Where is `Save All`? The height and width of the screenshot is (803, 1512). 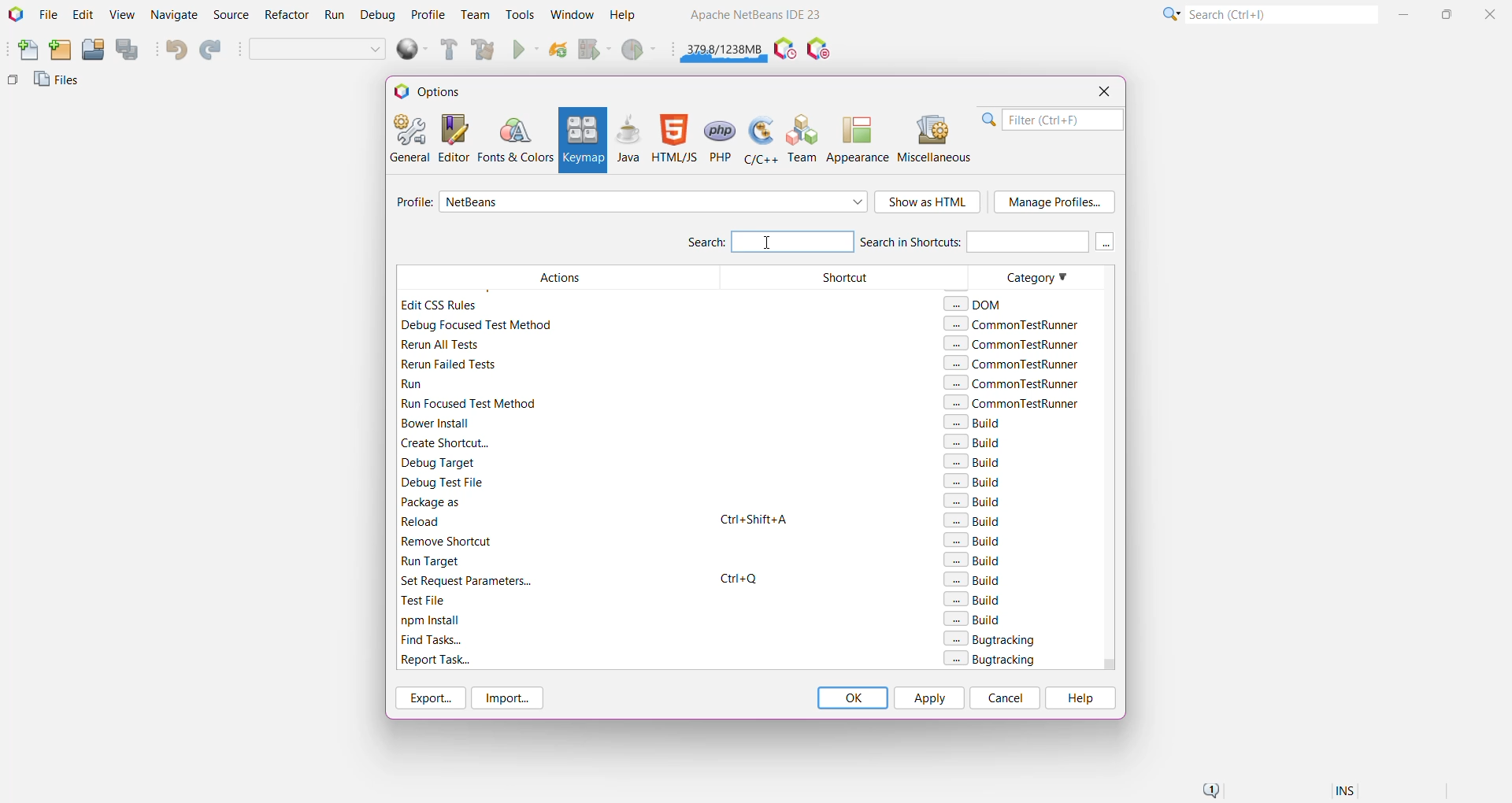 Save All is located at coordinates (128, 50).